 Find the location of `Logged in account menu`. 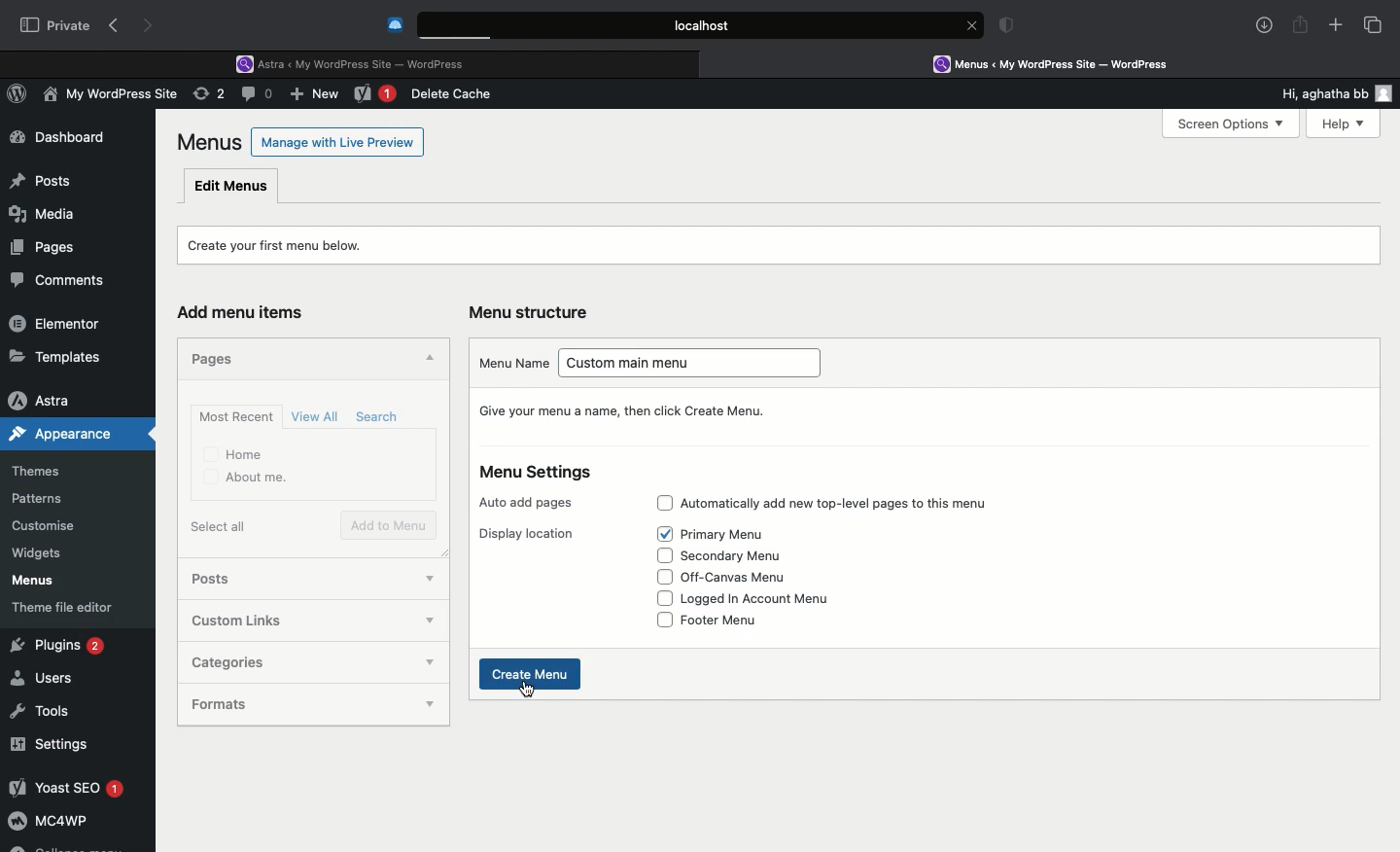

Logged in account menu is located at coordinates (771, 599).